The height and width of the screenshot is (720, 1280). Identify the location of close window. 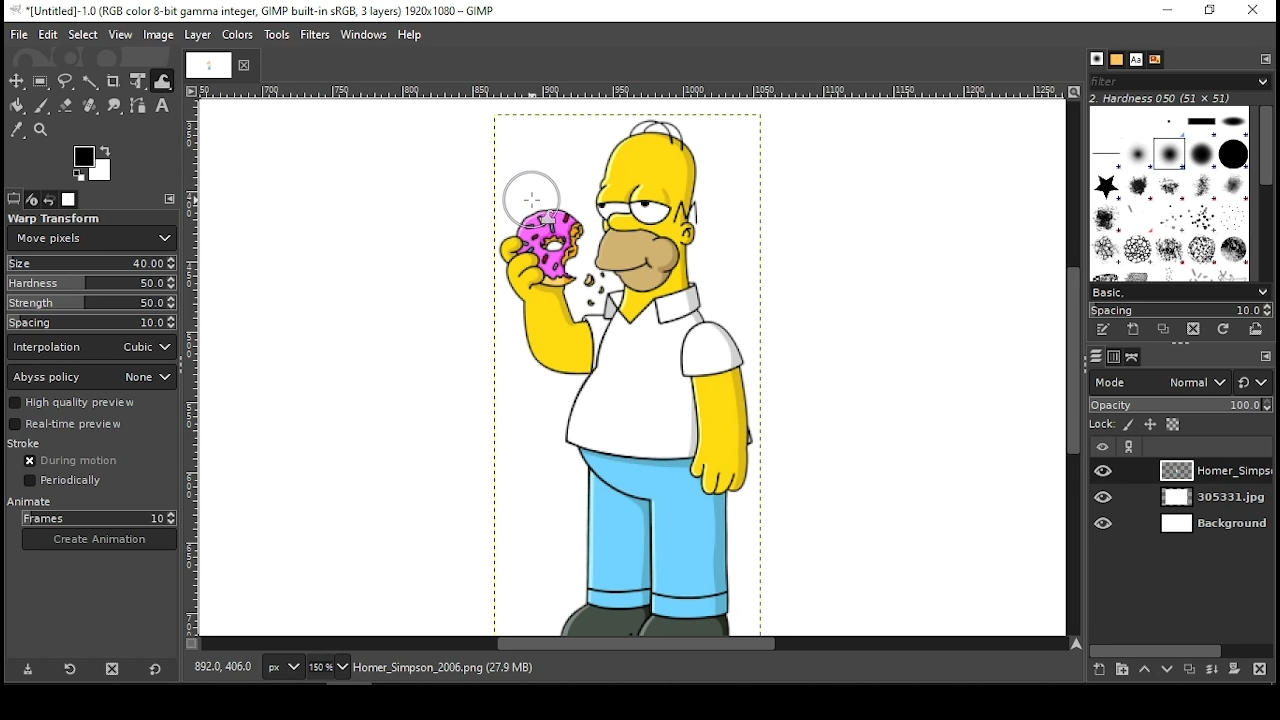
(1257, 10).